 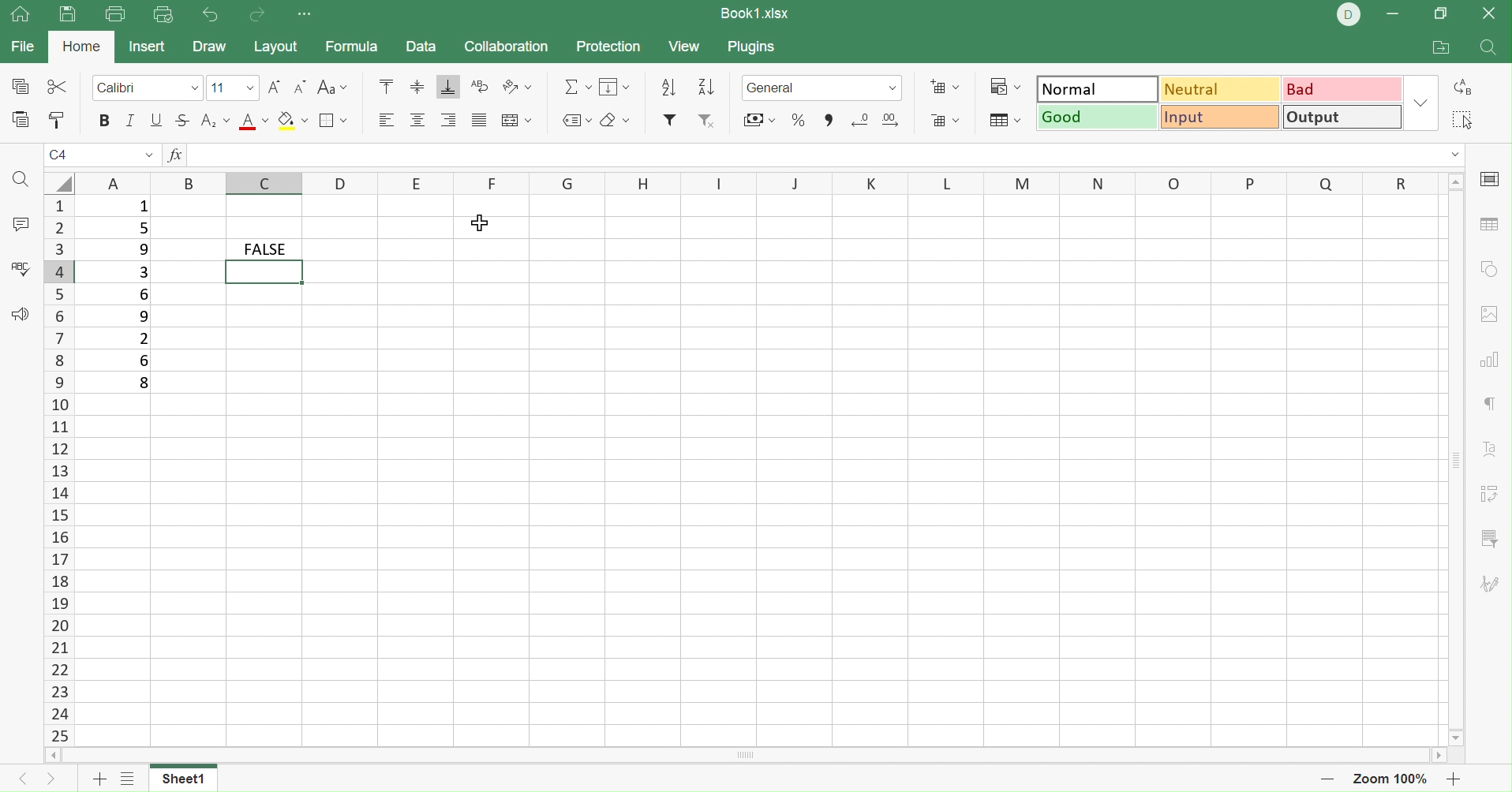 I want to click on Copy style, so click(x=55, y=121).